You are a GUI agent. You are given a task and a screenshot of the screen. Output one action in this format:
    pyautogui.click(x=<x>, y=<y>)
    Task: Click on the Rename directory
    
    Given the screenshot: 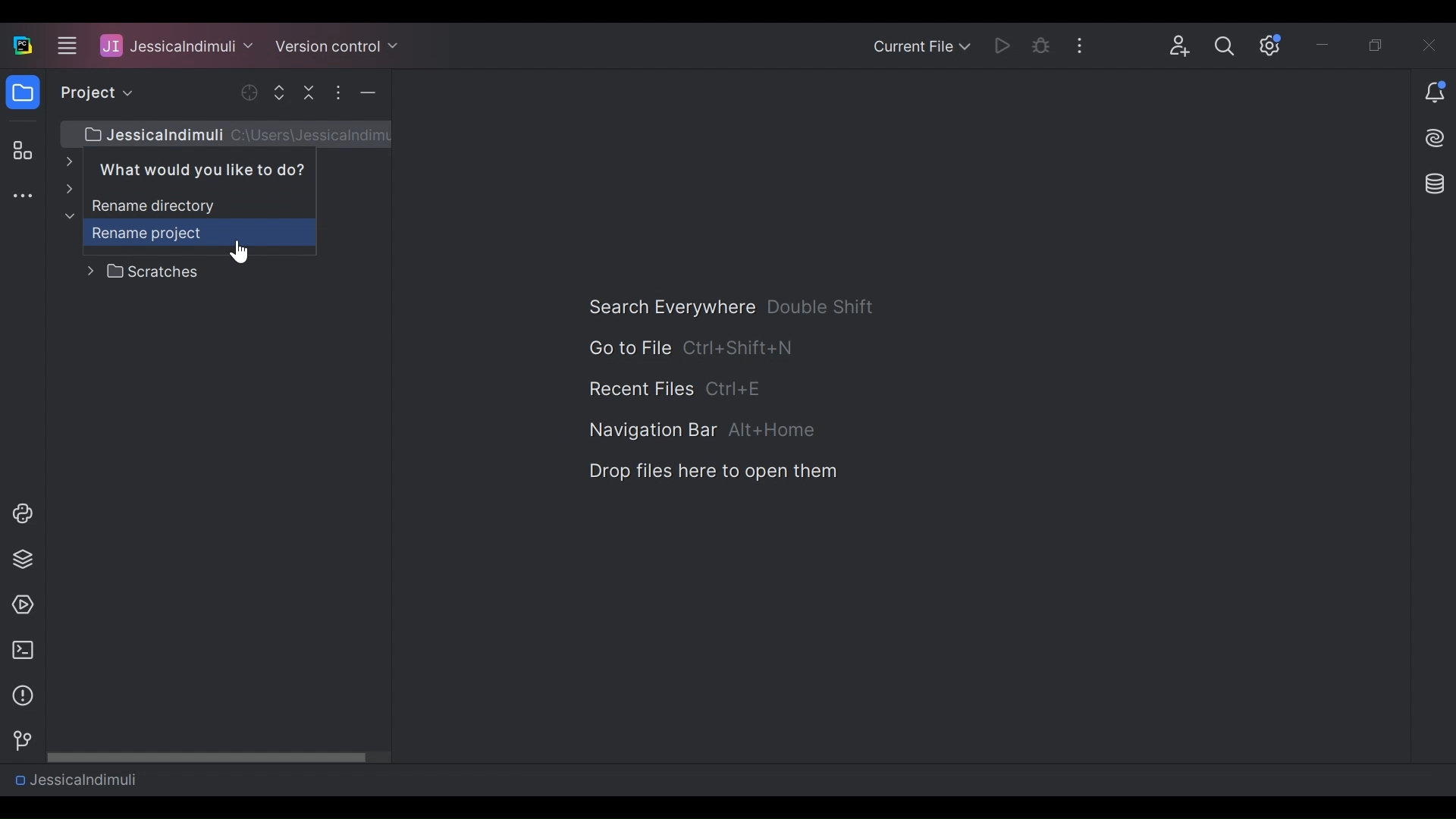 What is the action you would take?
    pyautogui.click(x=182, y=197)
    